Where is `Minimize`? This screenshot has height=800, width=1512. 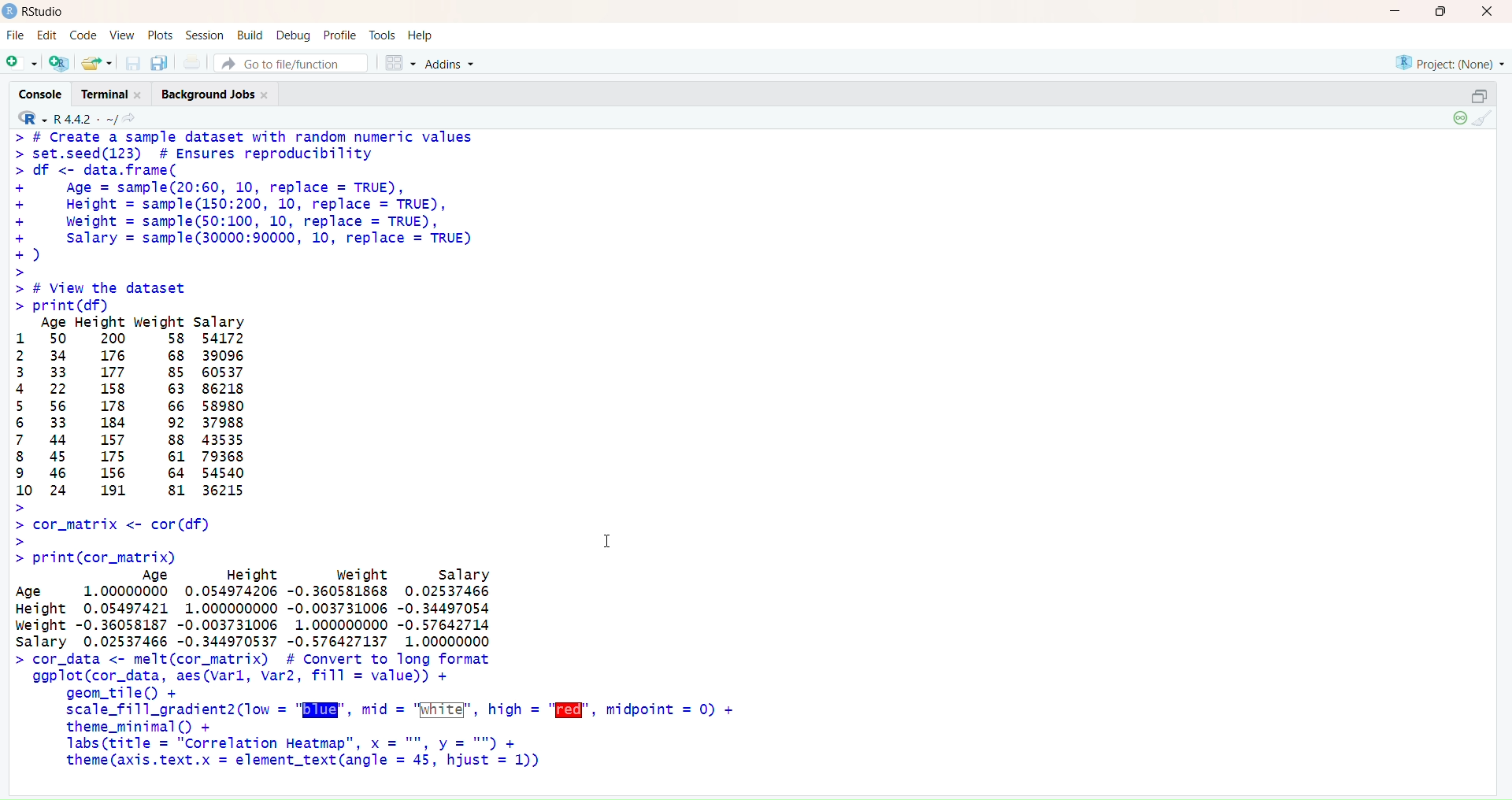 Minimize is located at coordinates (1395, 12).